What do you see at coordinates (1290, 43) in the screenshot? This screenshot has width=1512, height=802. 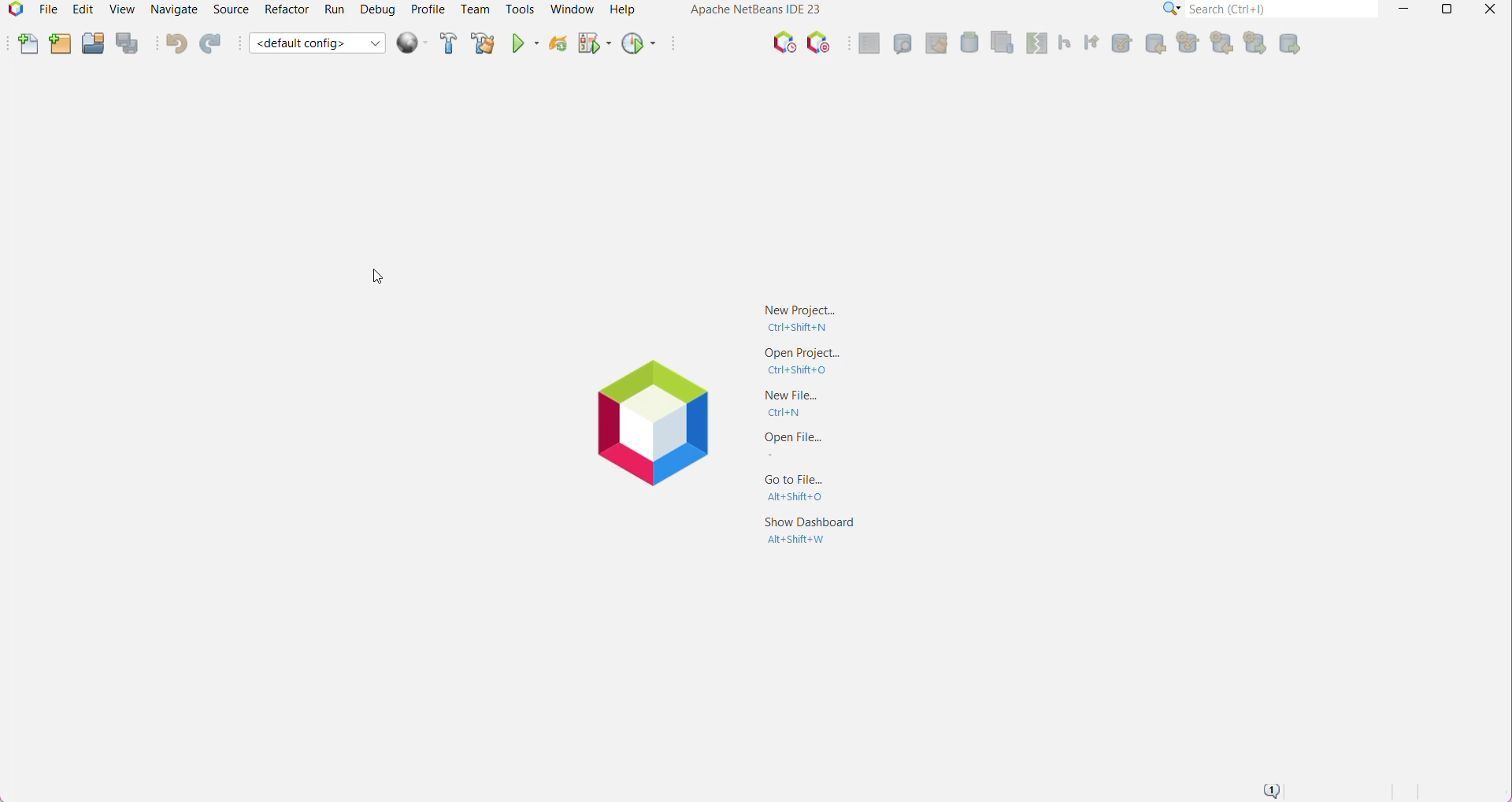 I see `Pust to Upstream` at bounding box center [1290, 43].